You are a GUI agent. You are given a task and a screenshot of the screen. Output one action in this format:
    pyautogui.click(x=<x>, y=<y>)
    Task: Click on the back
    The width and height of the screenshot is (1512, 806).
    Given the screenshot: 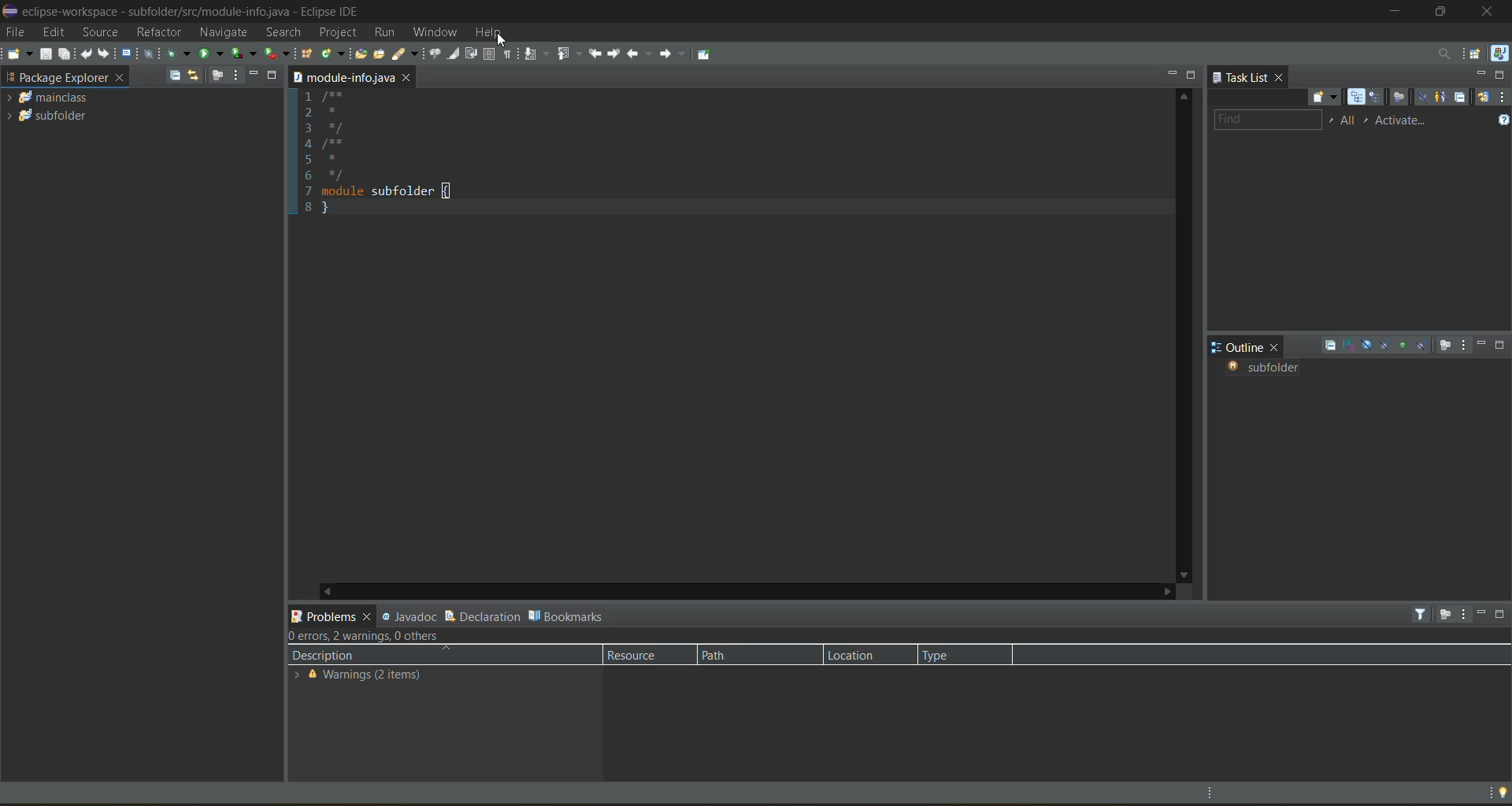 What is the action you would take?
    pyautogui.click(x=639, y=55)
    